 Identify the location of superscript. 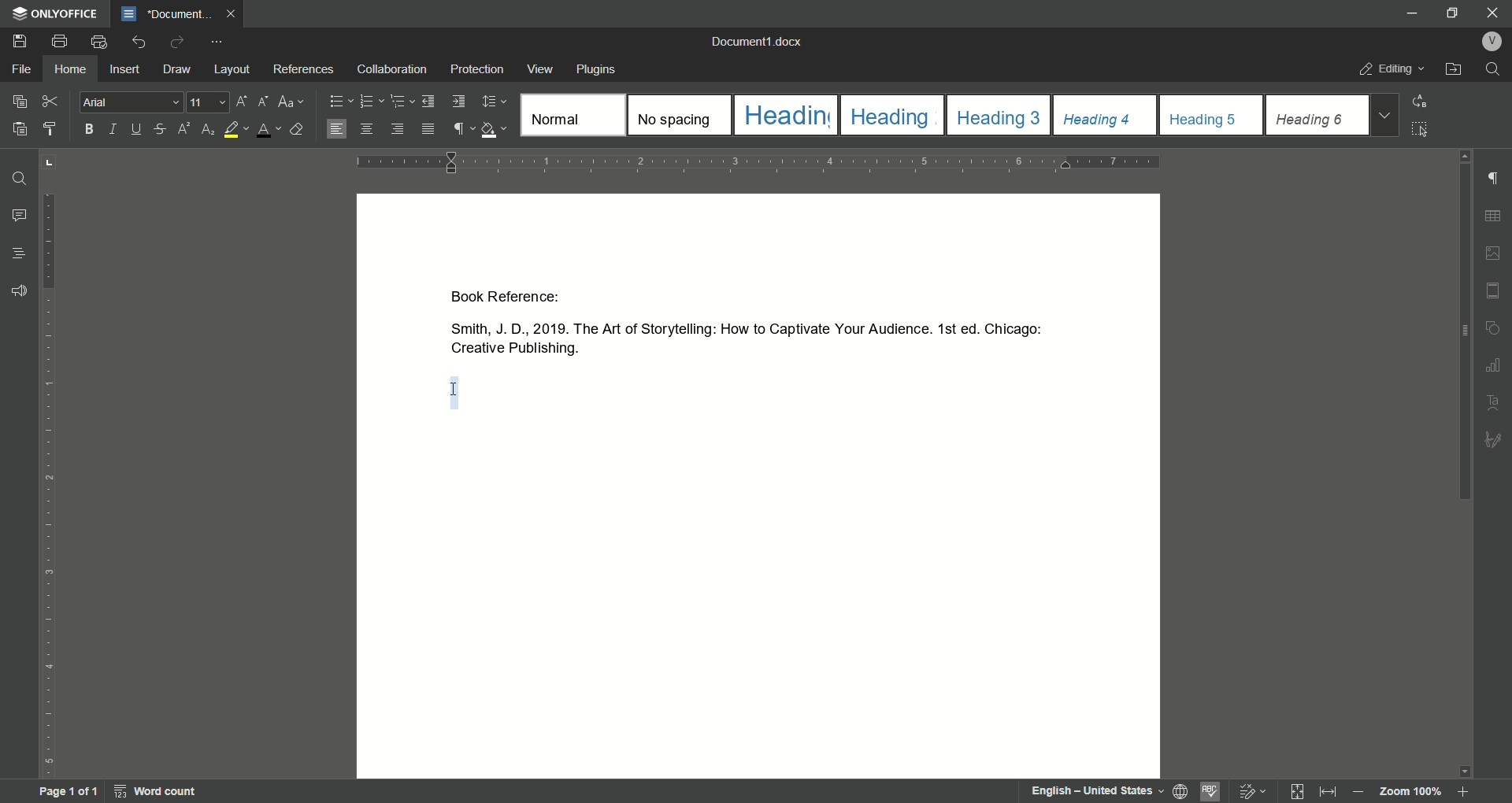
(182, 130).